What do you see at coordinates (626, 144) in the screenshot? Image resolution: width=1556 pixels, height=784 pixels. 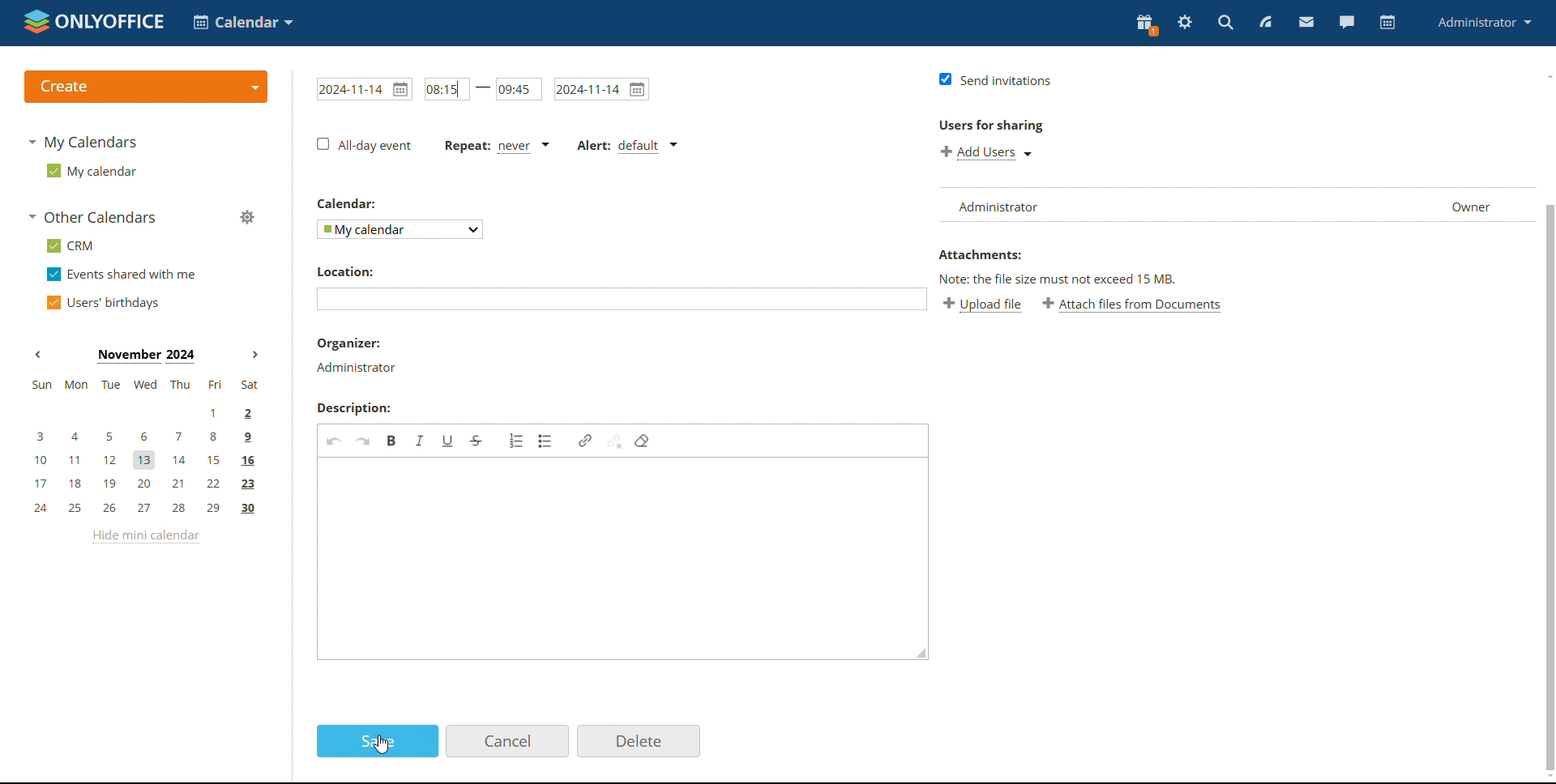 I see `alert type` at bounding box center [626, 144].